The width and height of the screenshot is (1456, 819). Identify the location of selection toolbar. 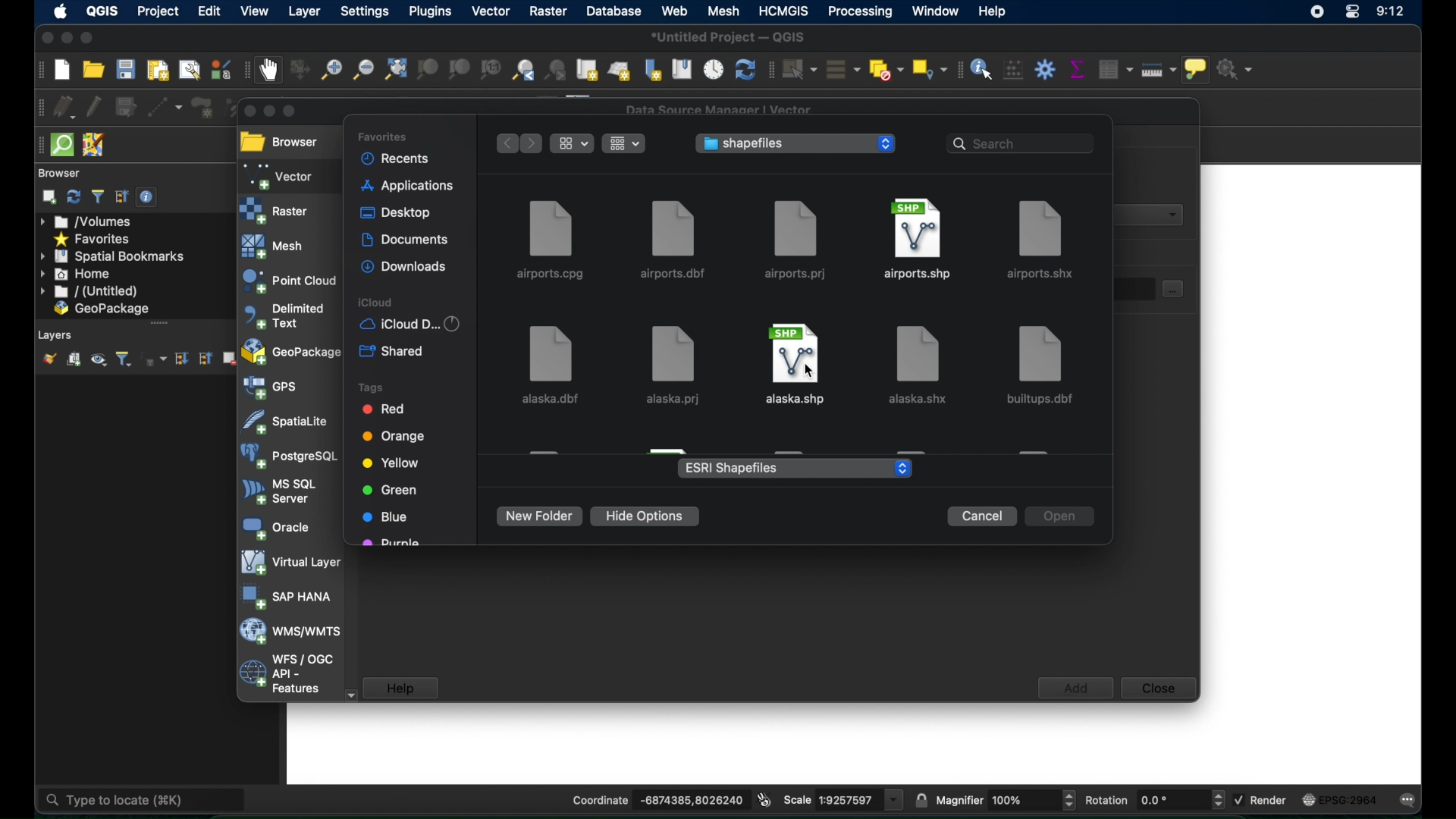
(770, 69).